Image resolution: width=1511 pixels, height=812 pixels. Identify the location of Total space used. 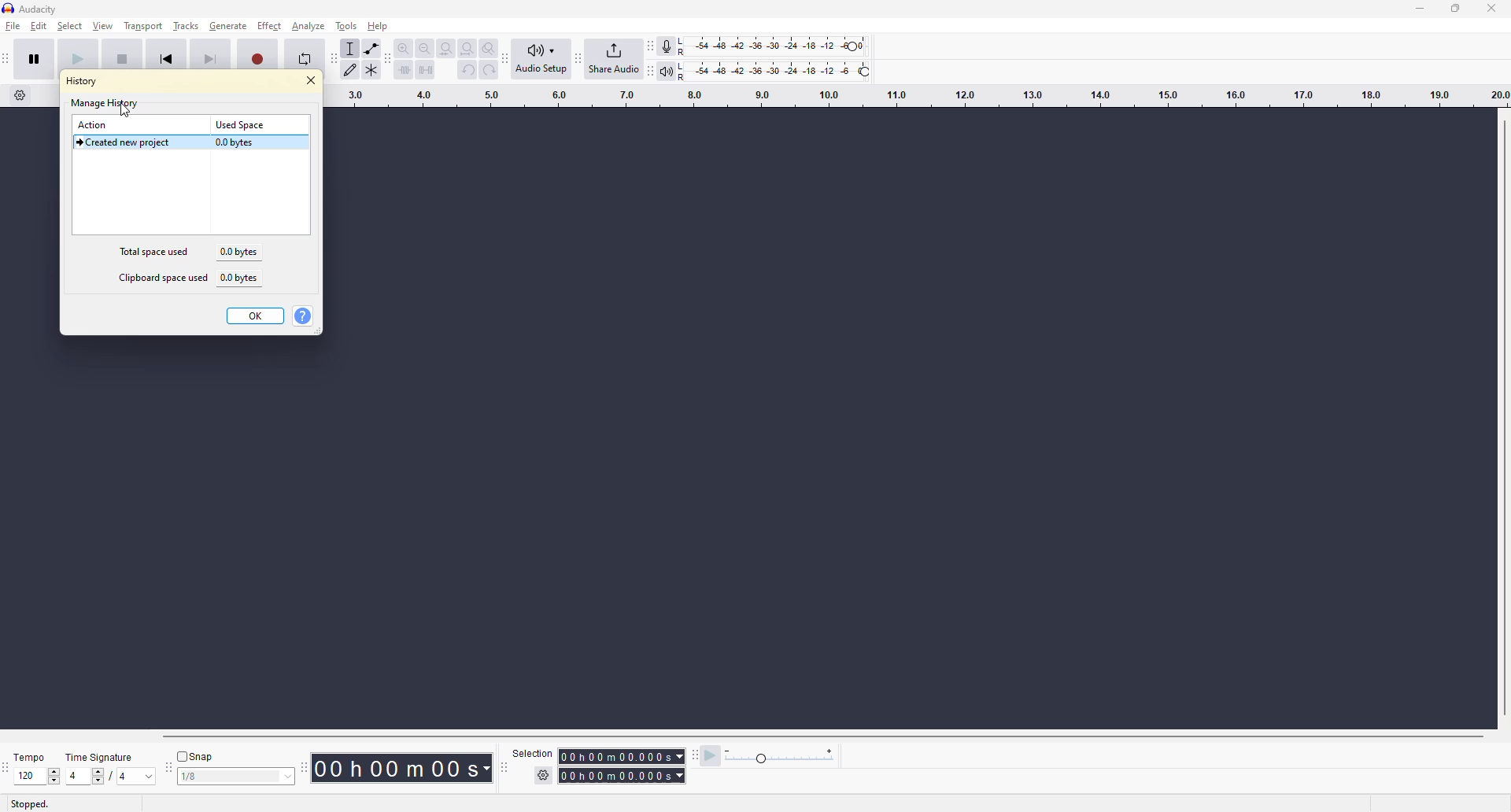
(156, 252).